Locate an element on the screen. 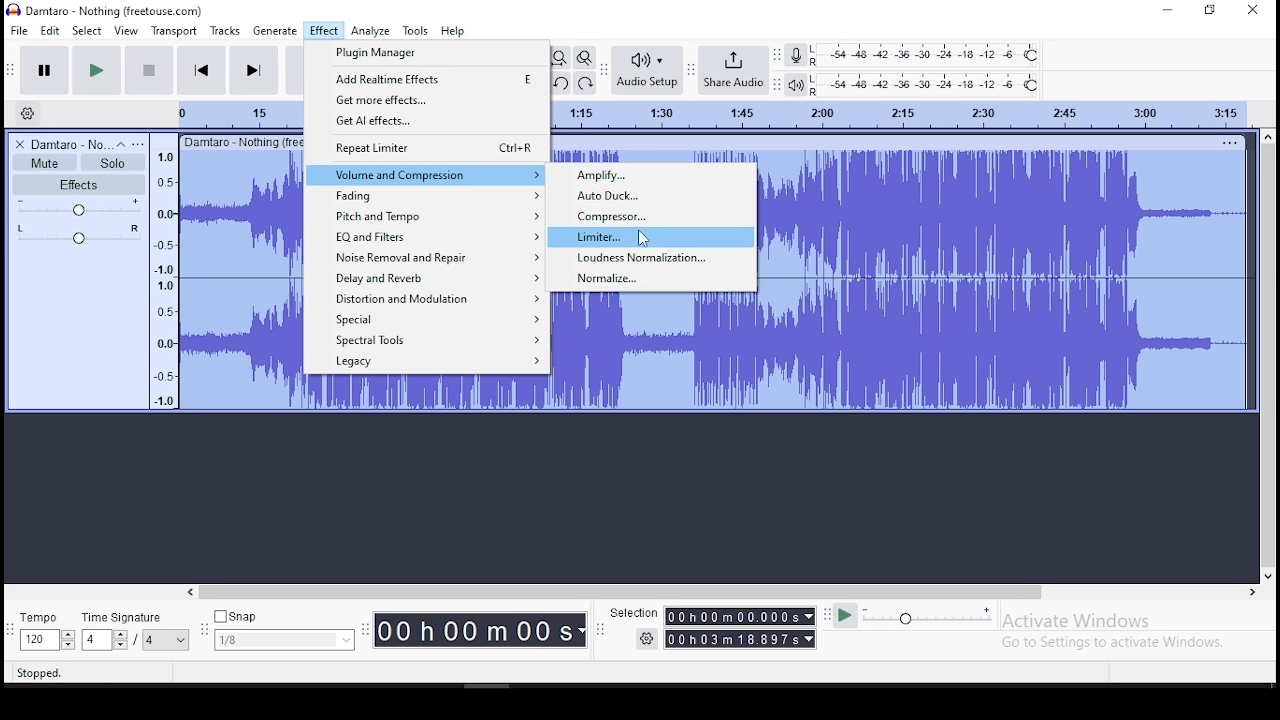  track options is located at coordinates (1229, 143).